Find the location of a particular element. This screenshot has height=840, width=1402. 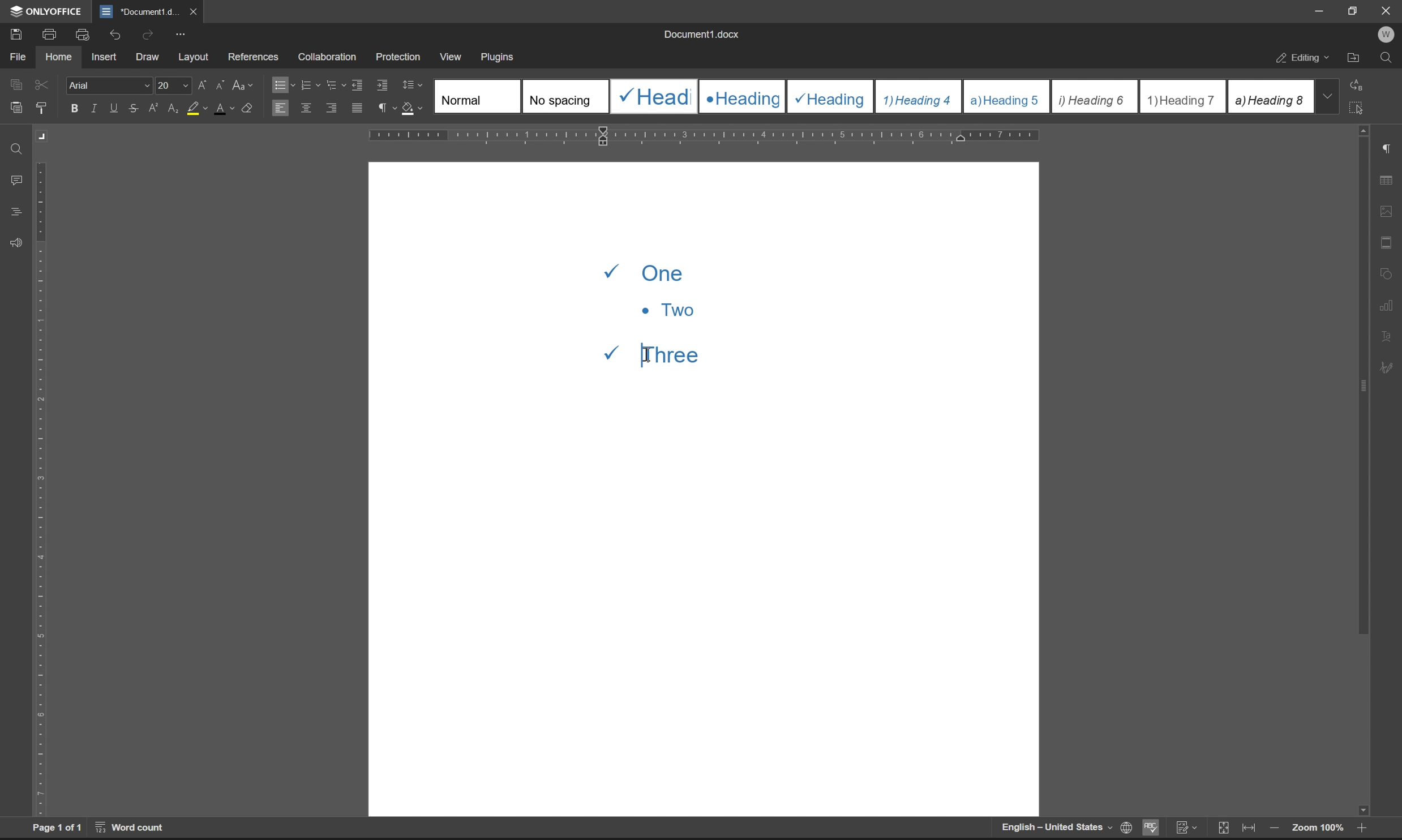

plugins is located at coordinates (499, 58).